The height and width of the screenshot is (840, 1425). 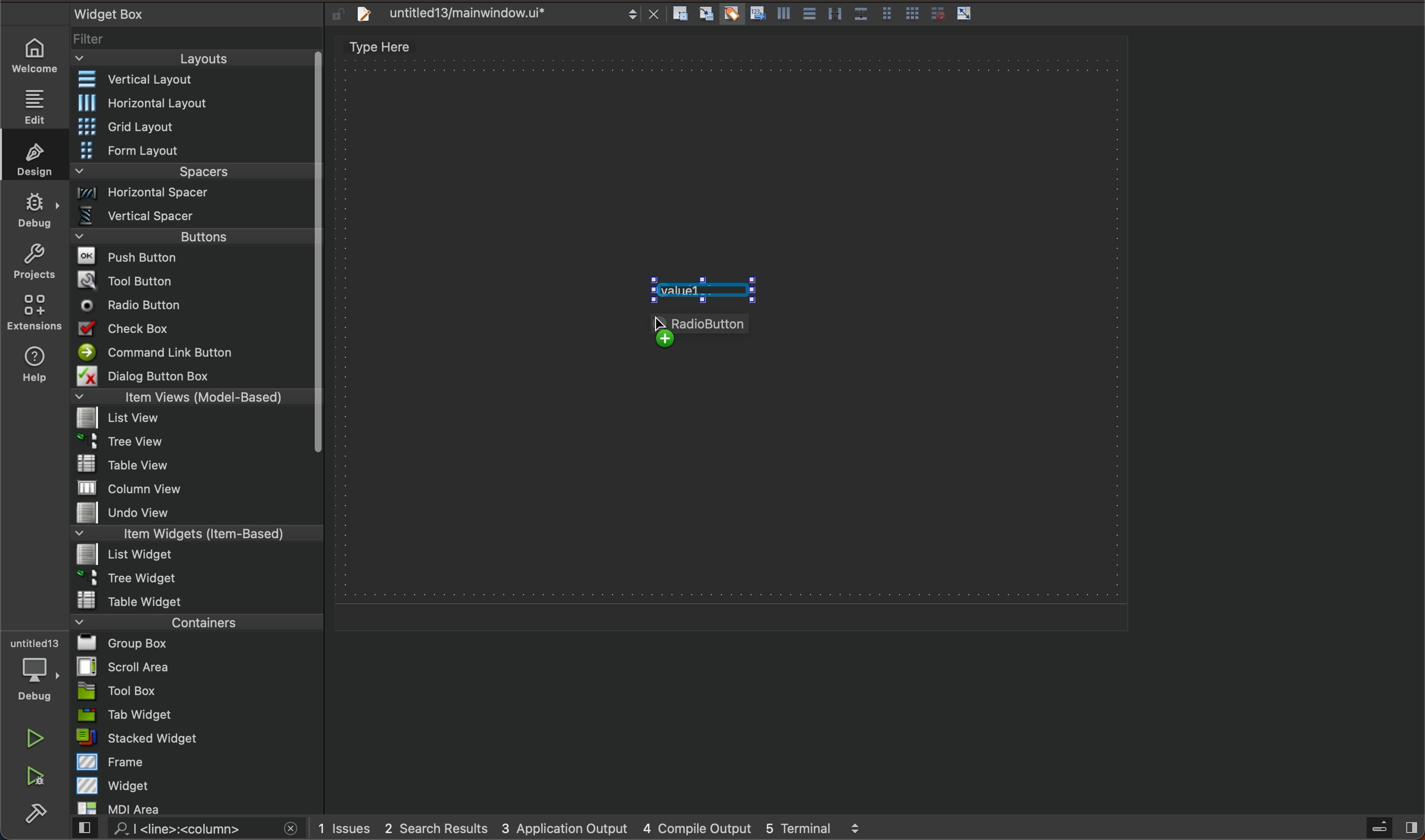 I want to click on command line, so click(x=192, y=353).